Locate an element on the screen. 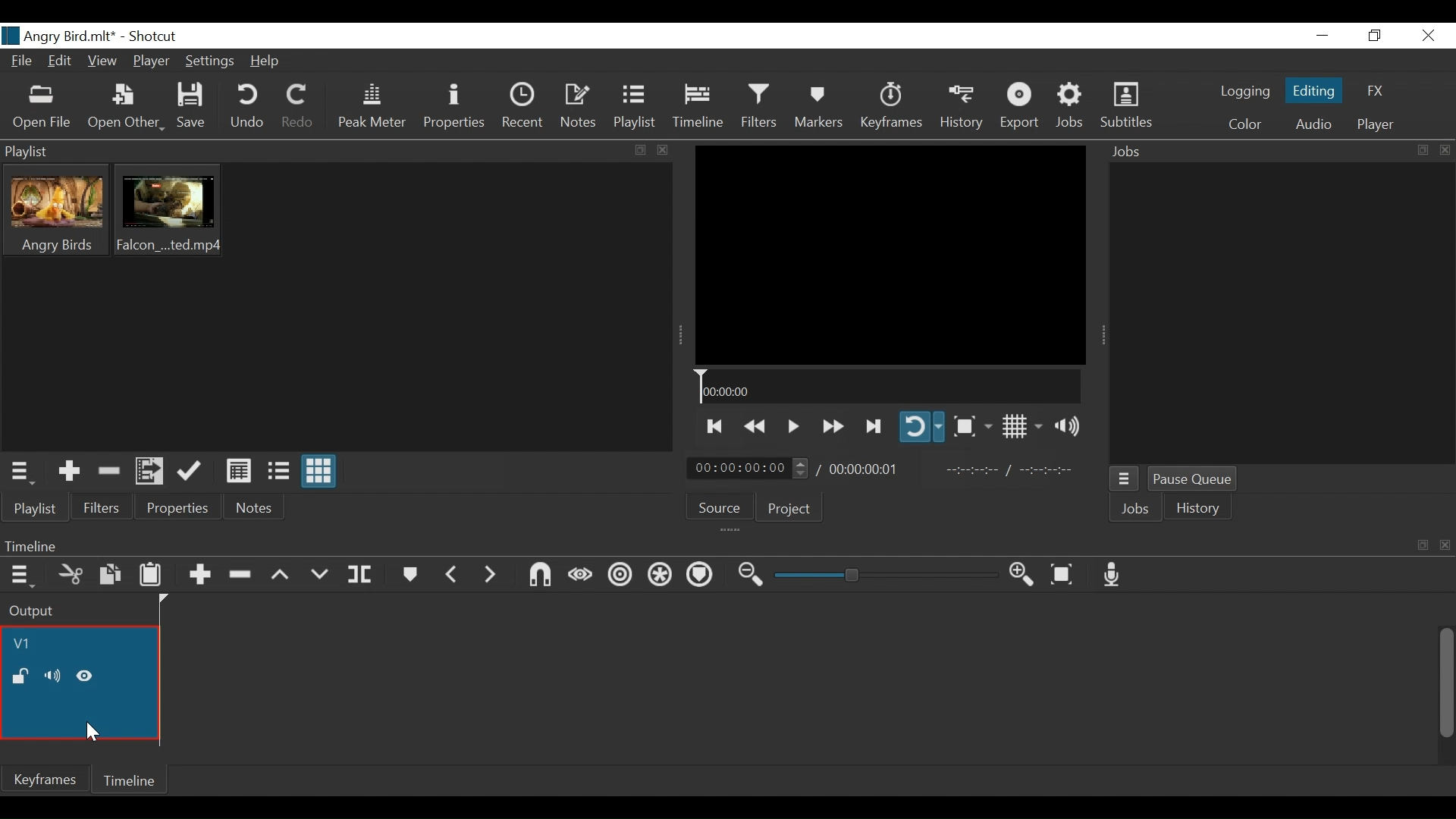 Image resolution: width=1456 pixels, height=819 pixels. Toggle display grid on player is located at coordinates (1022, 427).